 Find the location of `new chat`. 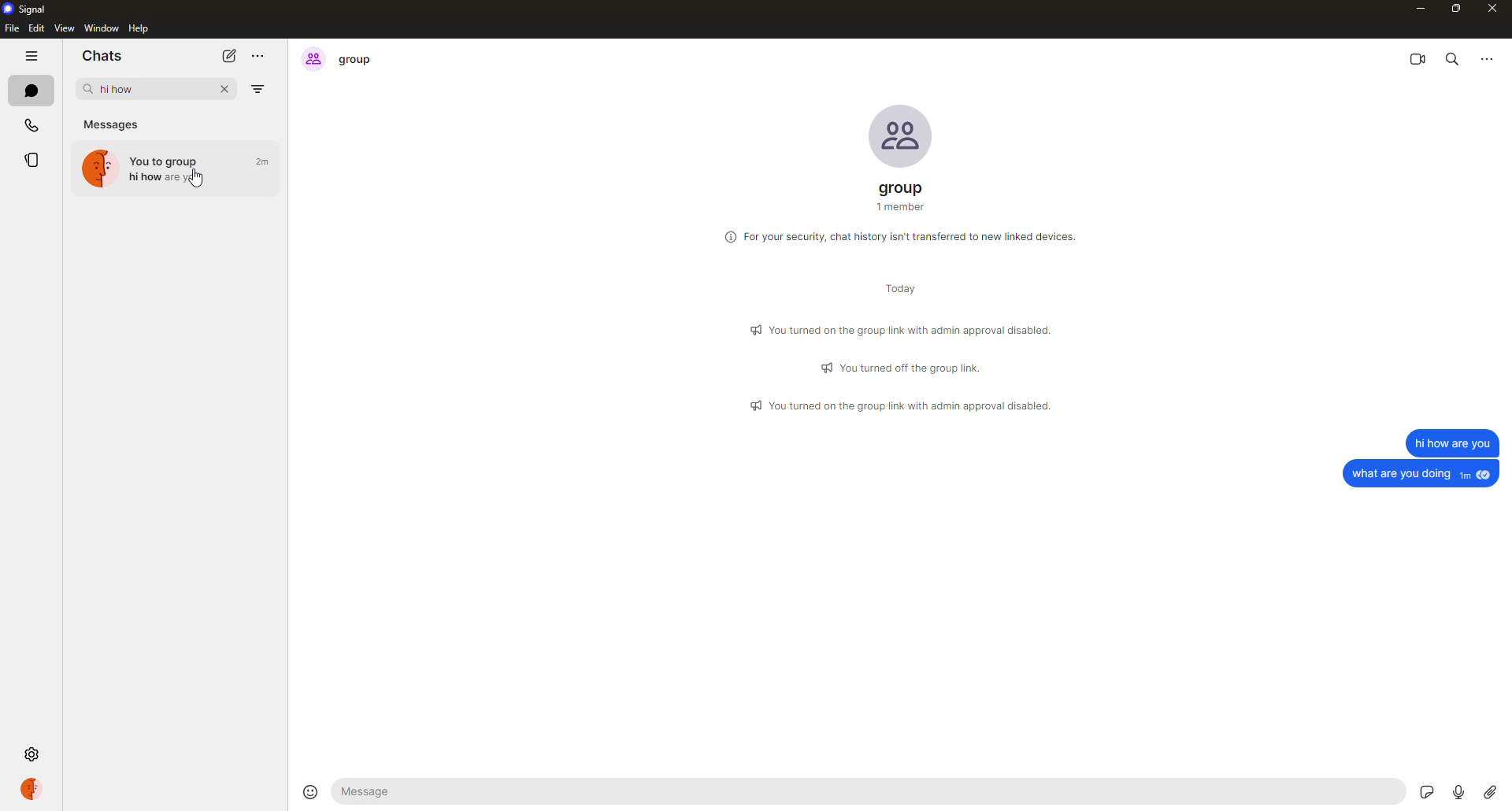

new chat is located at coordinates (228, 56).